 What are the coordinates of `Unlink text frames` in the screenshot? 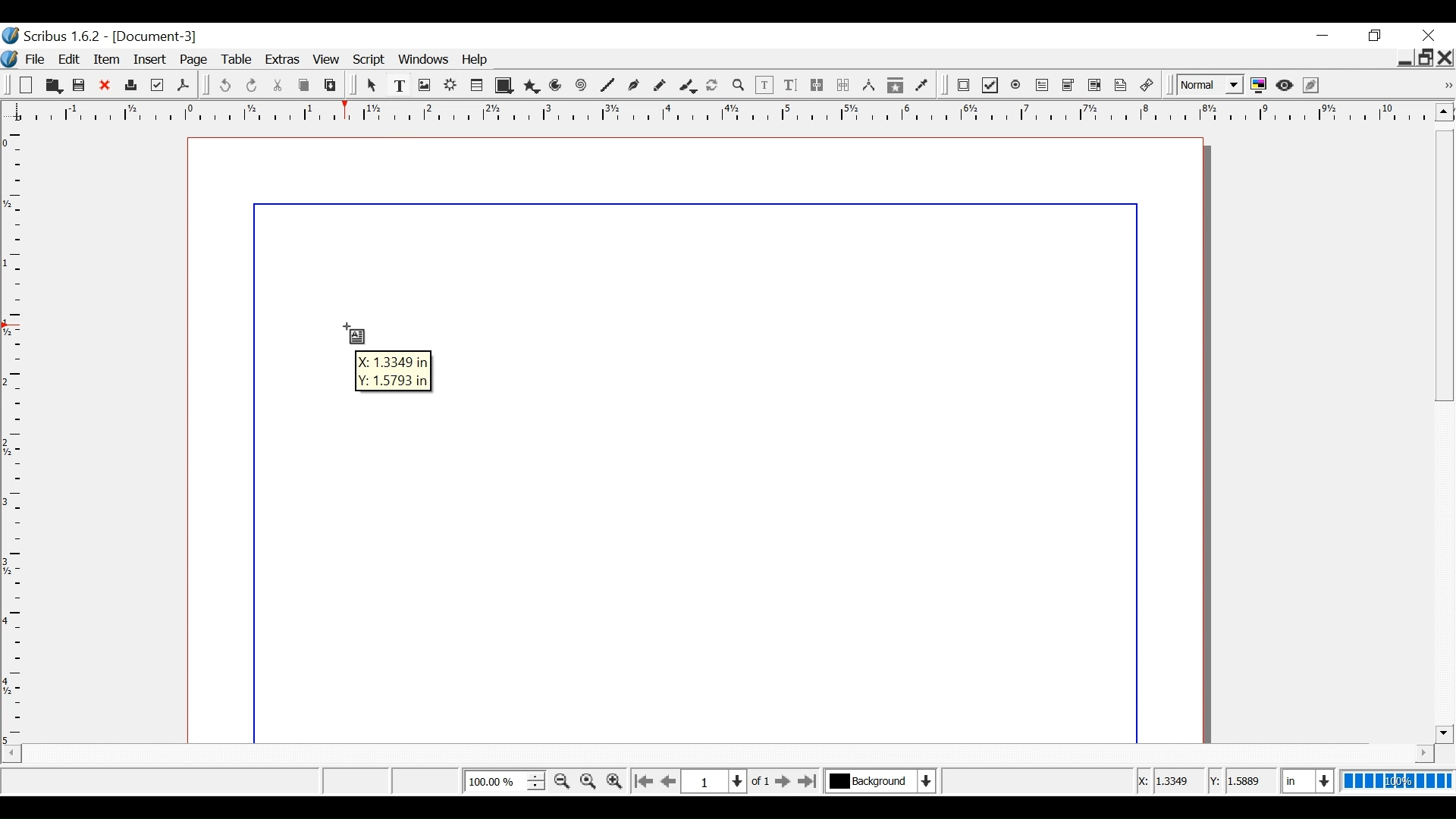 It's located at (843, 85).